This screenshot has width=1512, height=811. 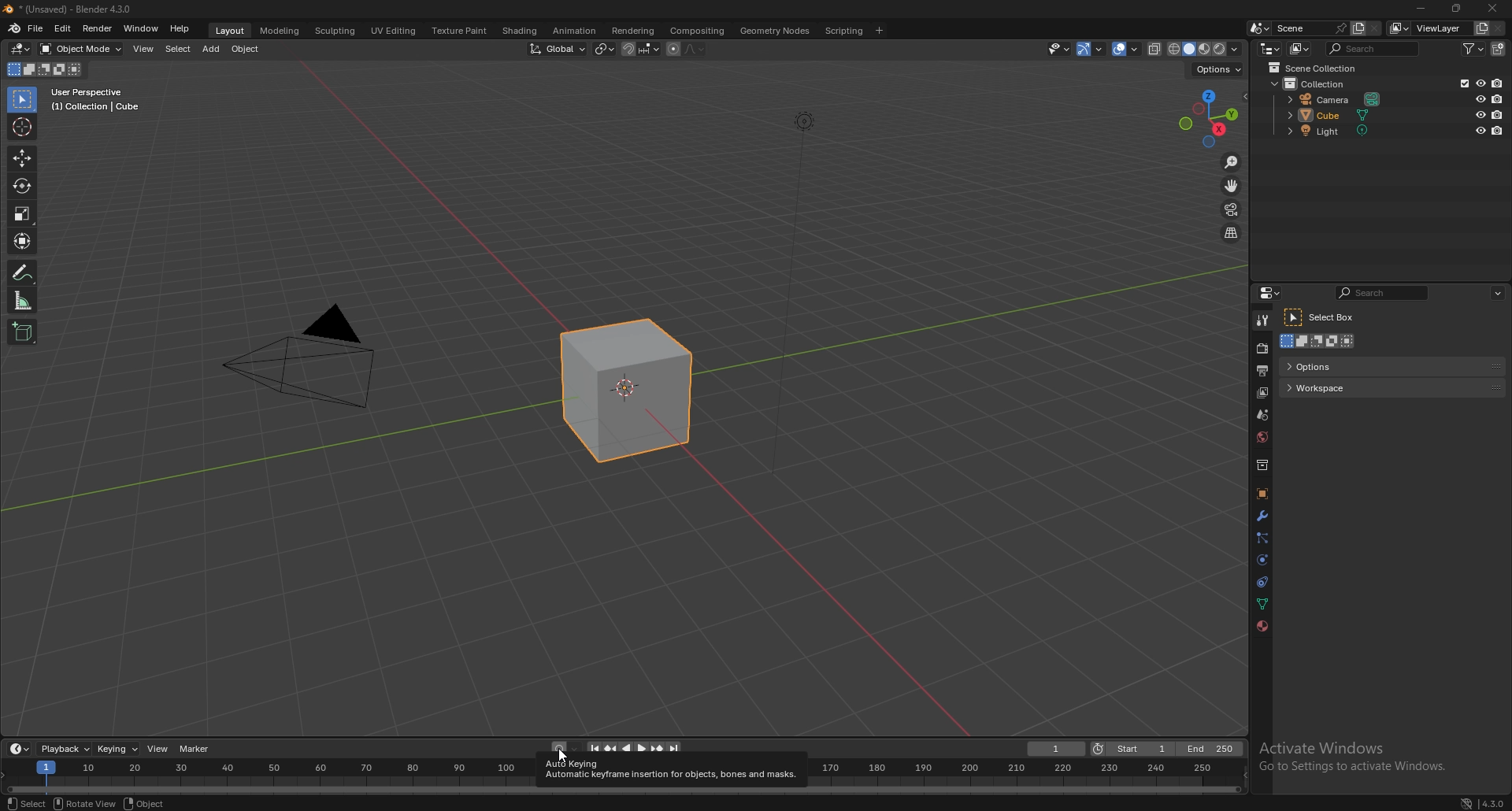 I want to click on zoom, so click(x=1232, y=162).